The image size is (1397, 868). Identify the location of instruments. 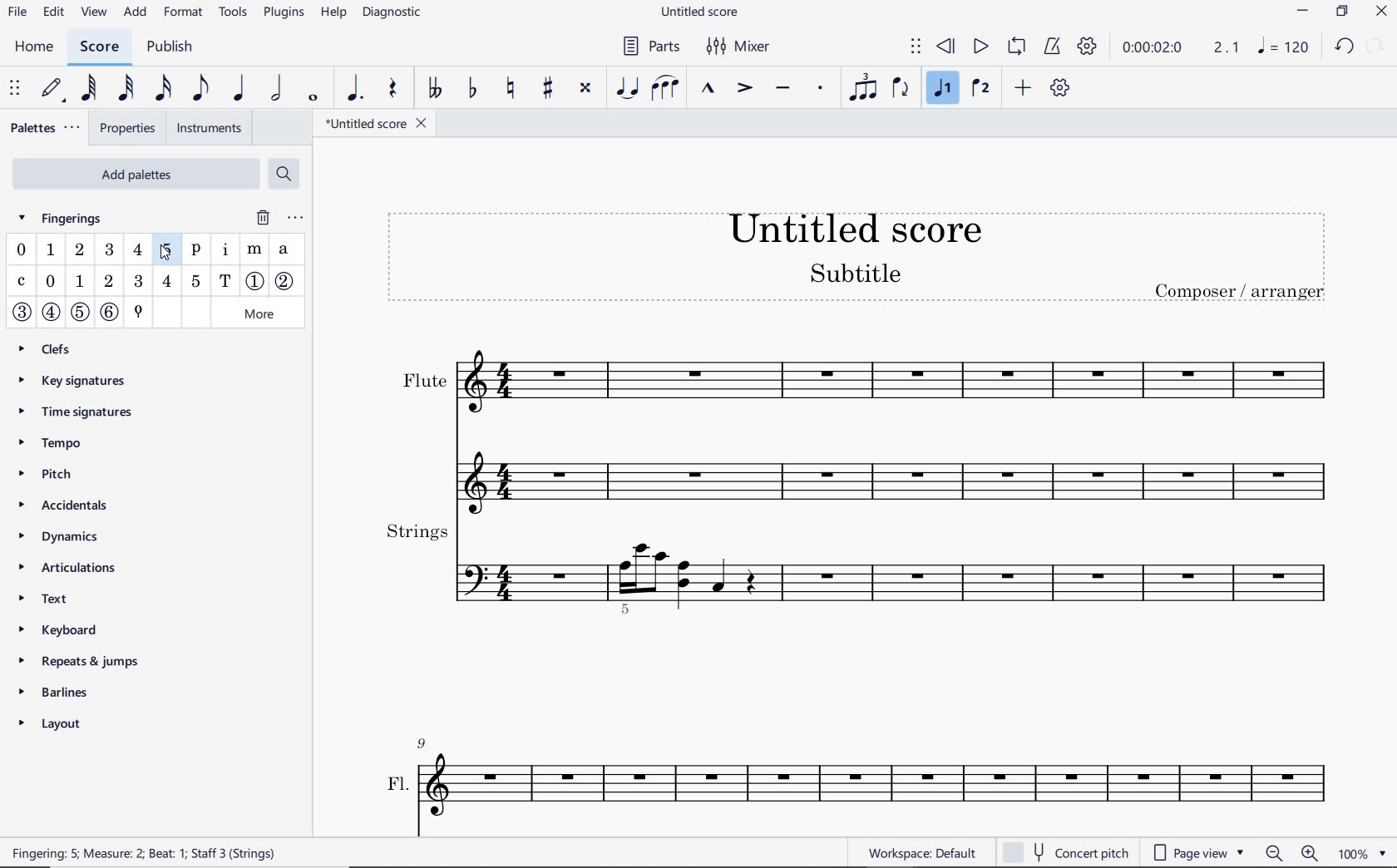
(208, 126).